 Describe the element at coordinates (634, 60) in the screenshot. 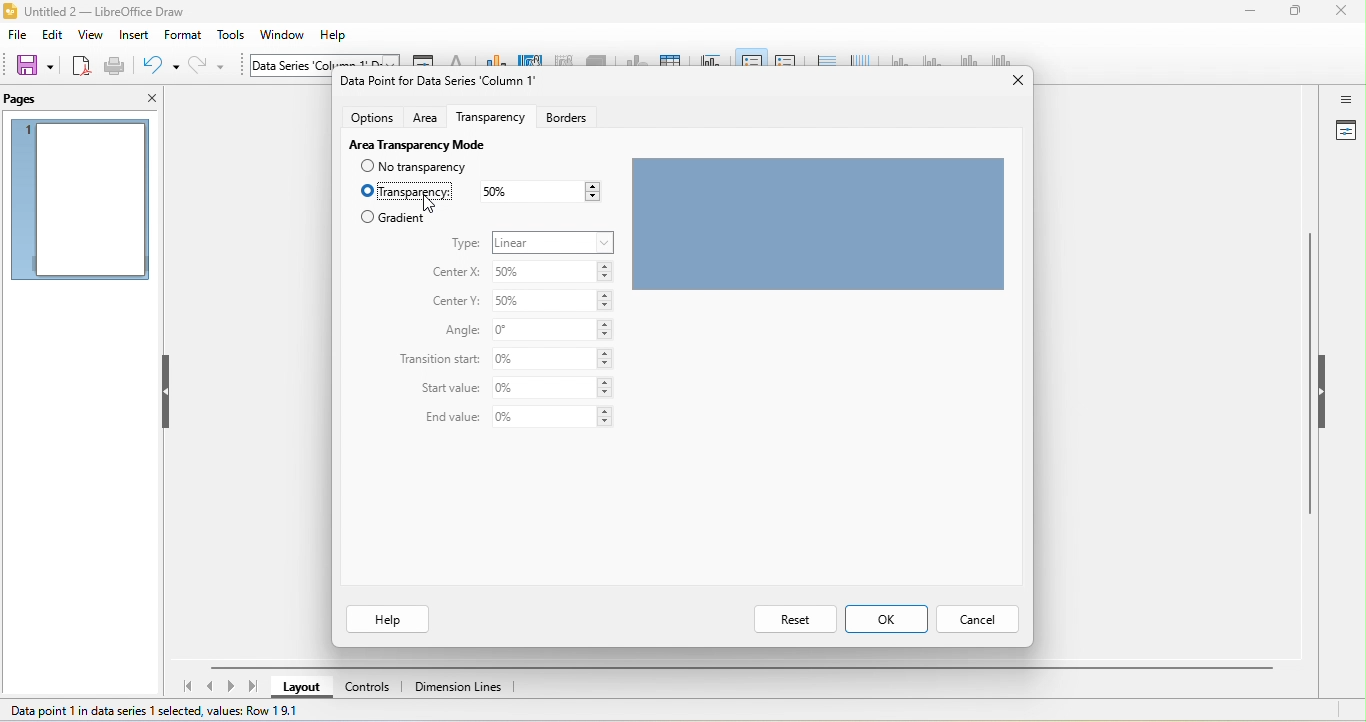

I see `data ranges` at that location.